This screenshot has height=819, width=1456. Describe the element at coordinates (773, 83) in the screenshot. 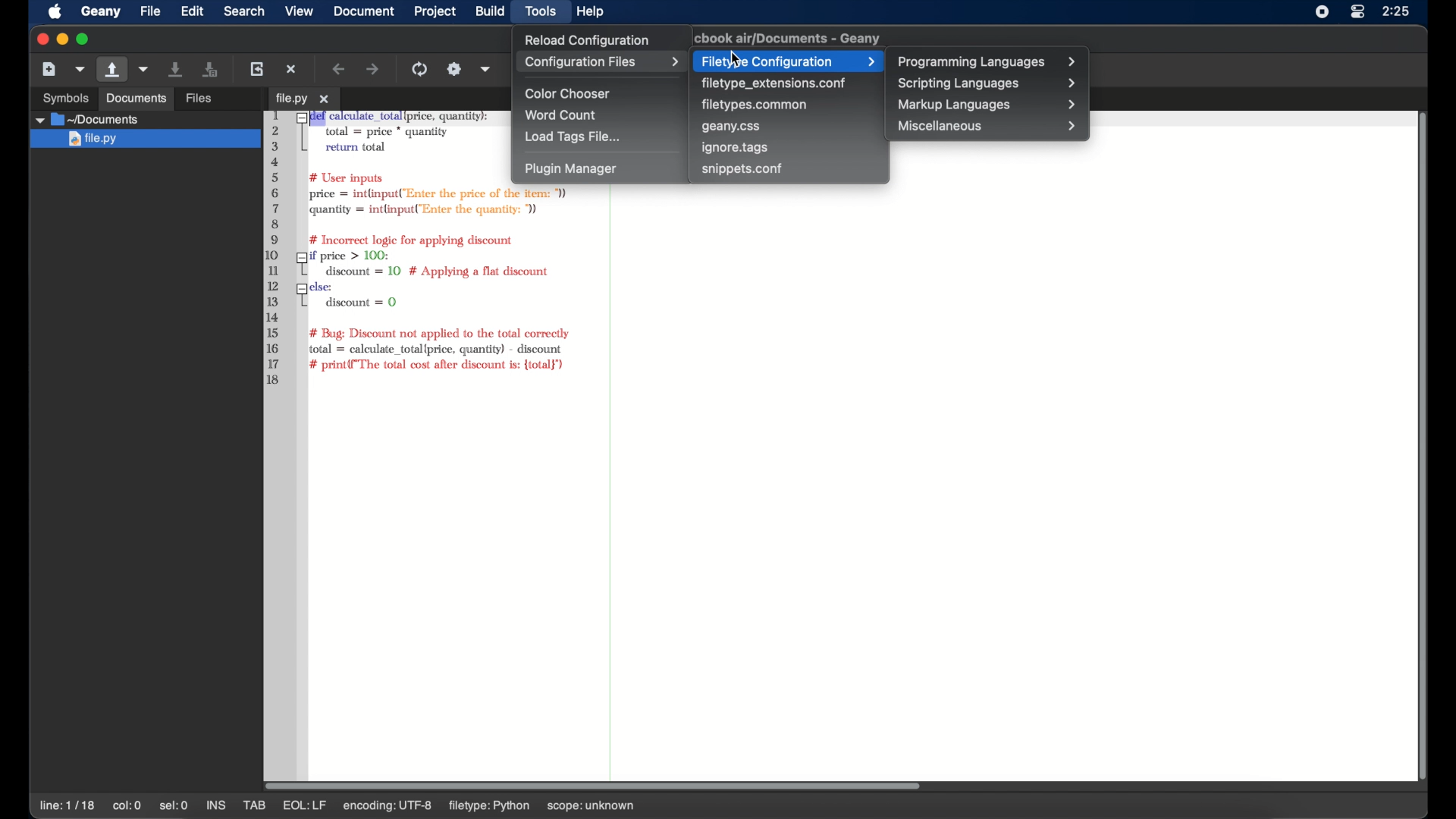

I see `filetype_extensions.conf` at that location.